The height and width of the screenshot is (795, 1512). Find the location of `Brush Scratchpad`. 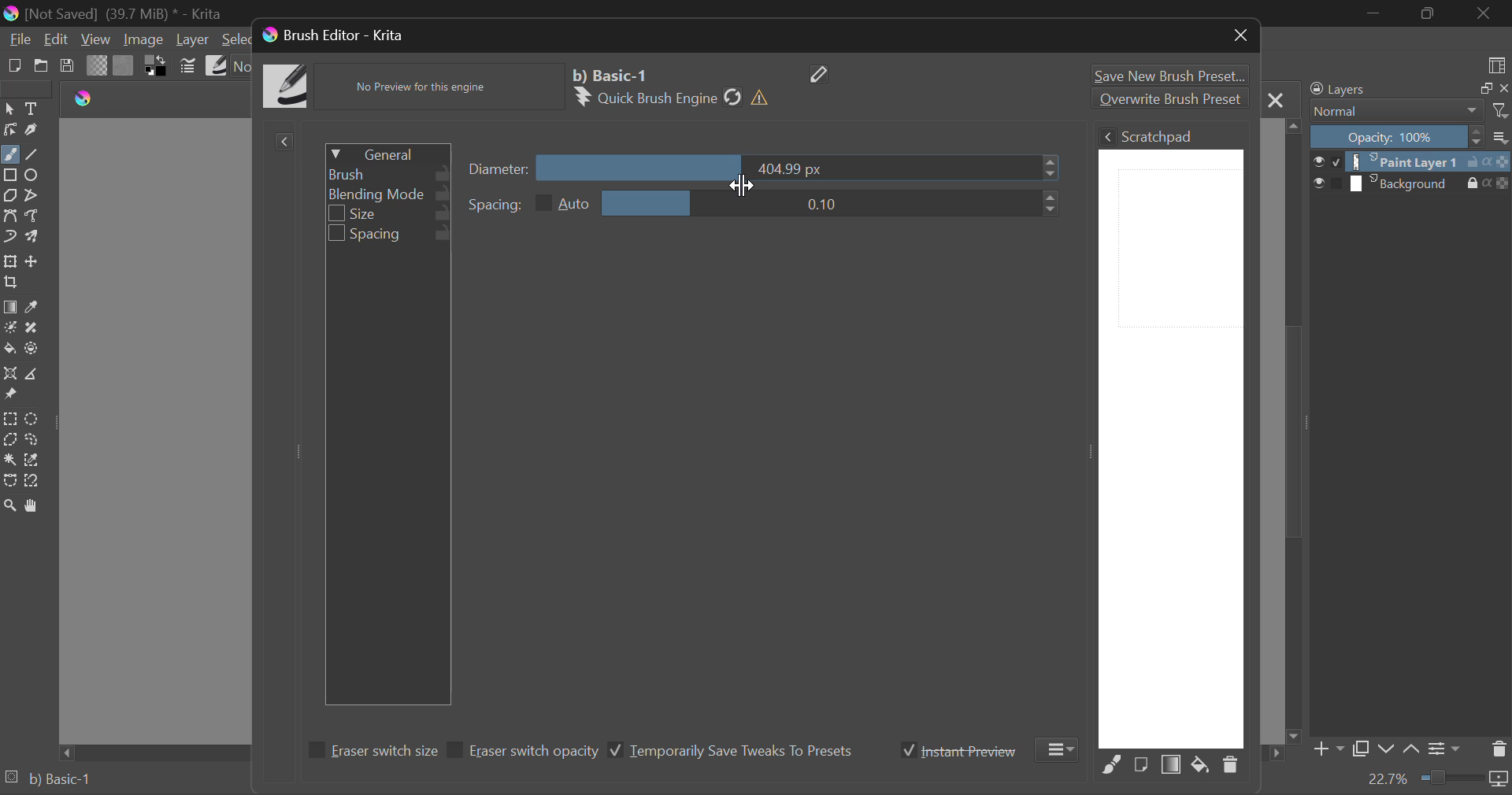

Brush Scratchpad is located at coordinates (1171, 436).